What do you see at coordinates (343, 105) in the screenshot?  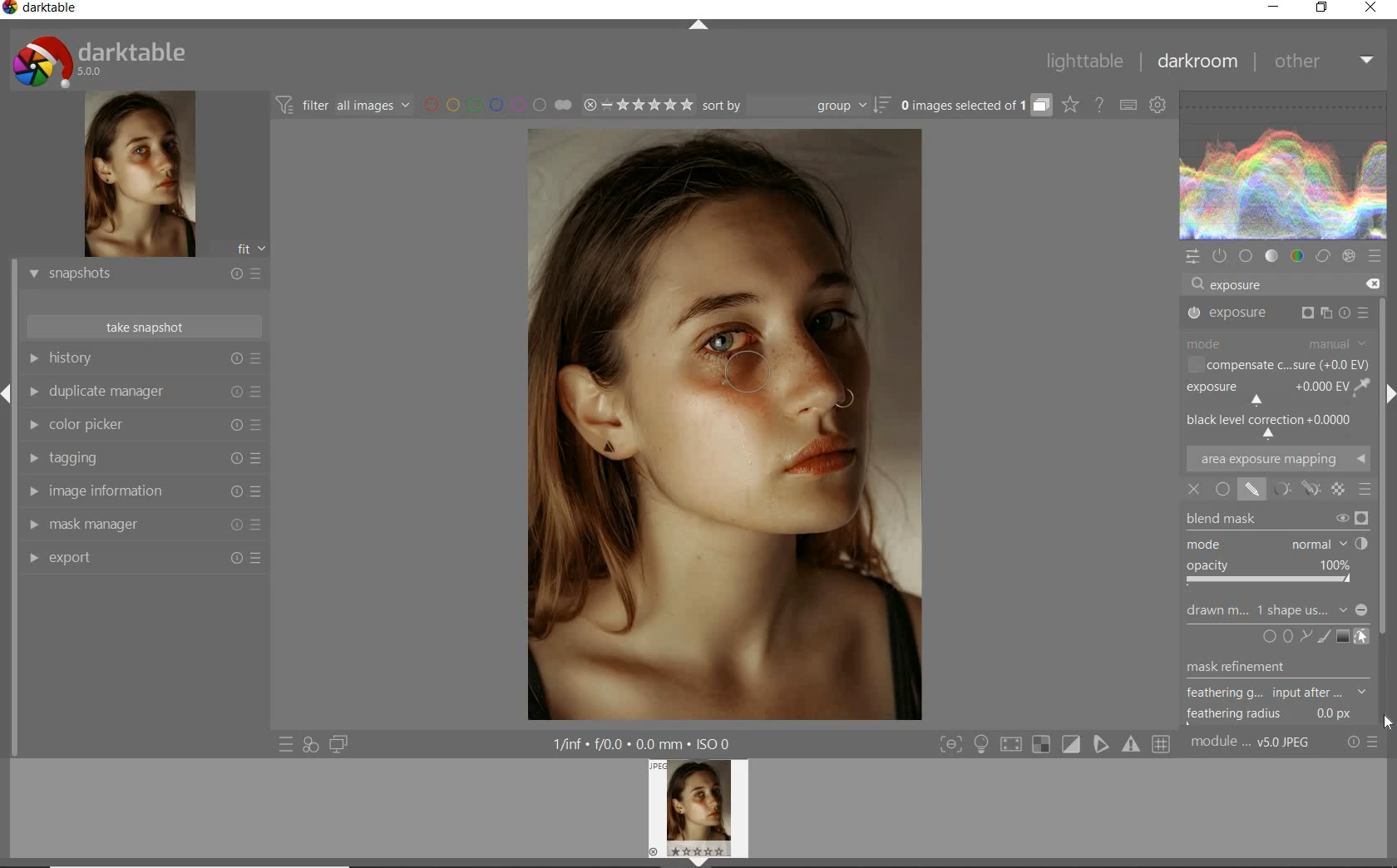 I see `filter images based on their modules` at bounding box center [343, 105].